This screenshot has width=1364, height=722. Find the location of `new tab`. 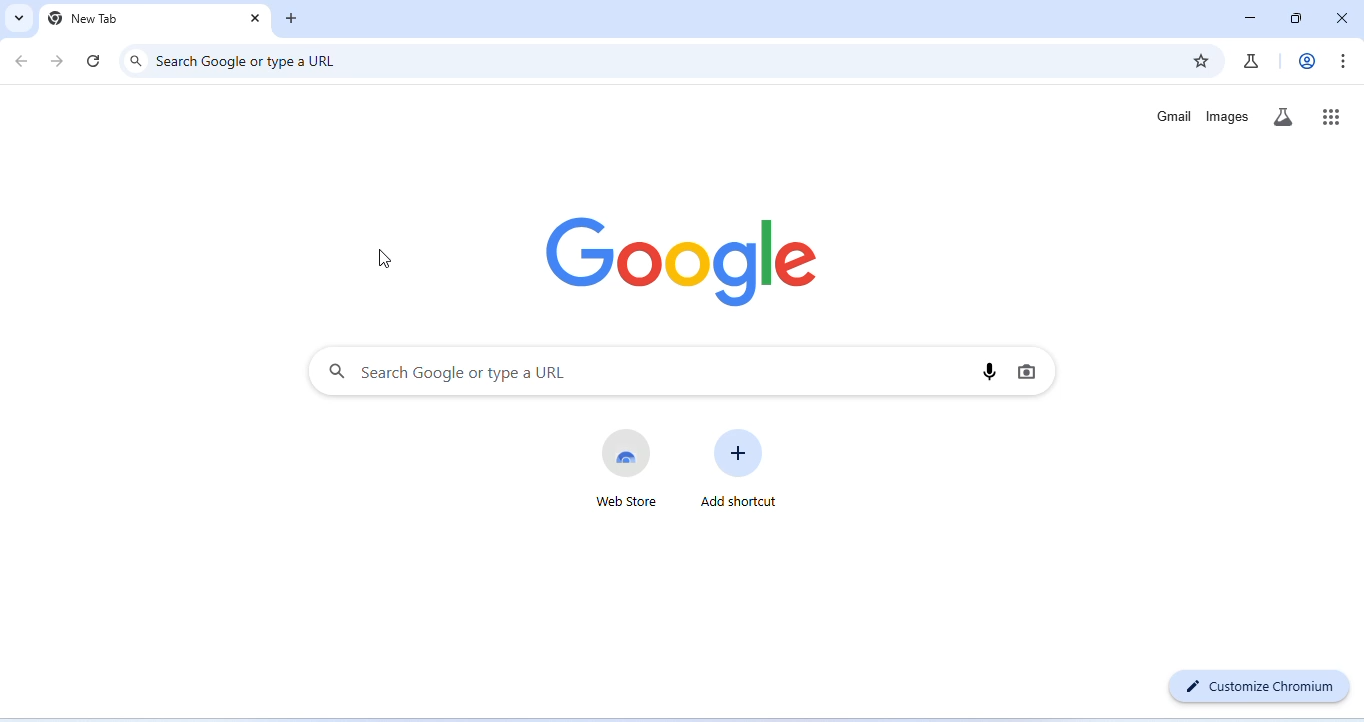

new tab is located at coordinates (85, 19).